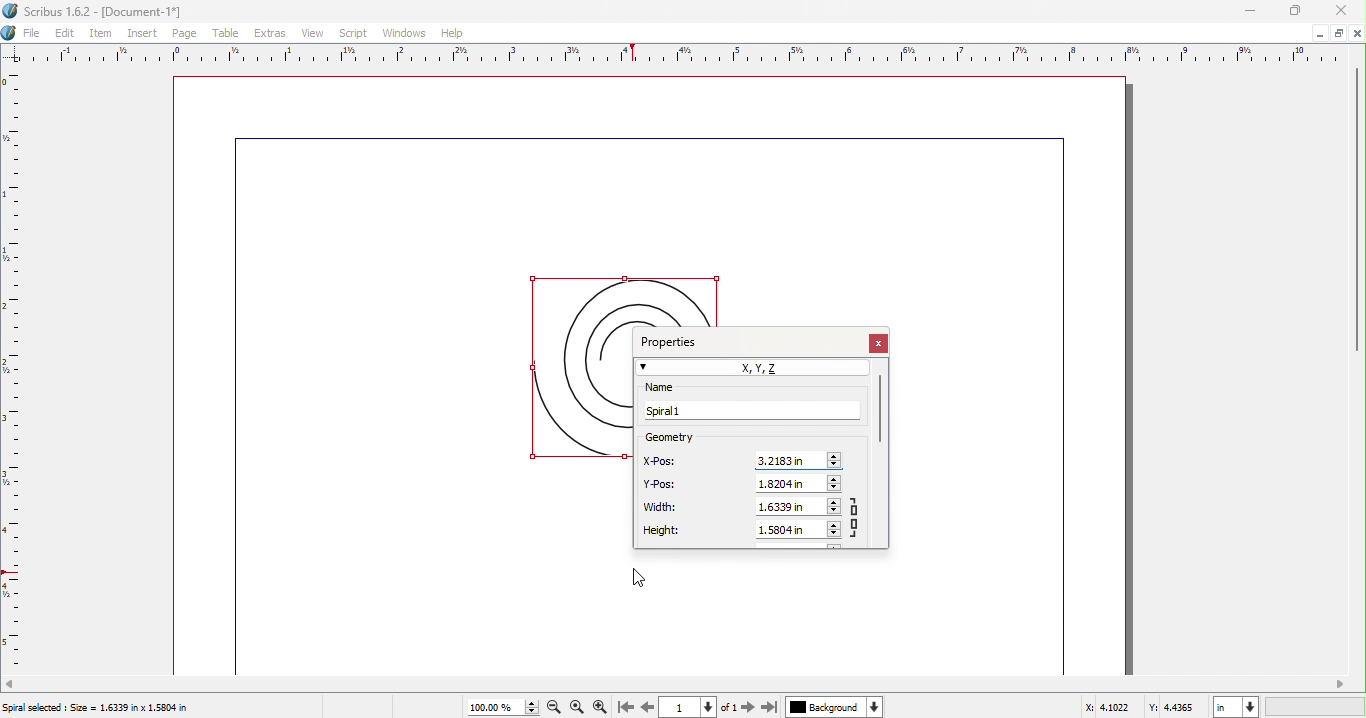 This screenshot has height=718, width=1366. I want to click on Geometry, so click(703, 437).